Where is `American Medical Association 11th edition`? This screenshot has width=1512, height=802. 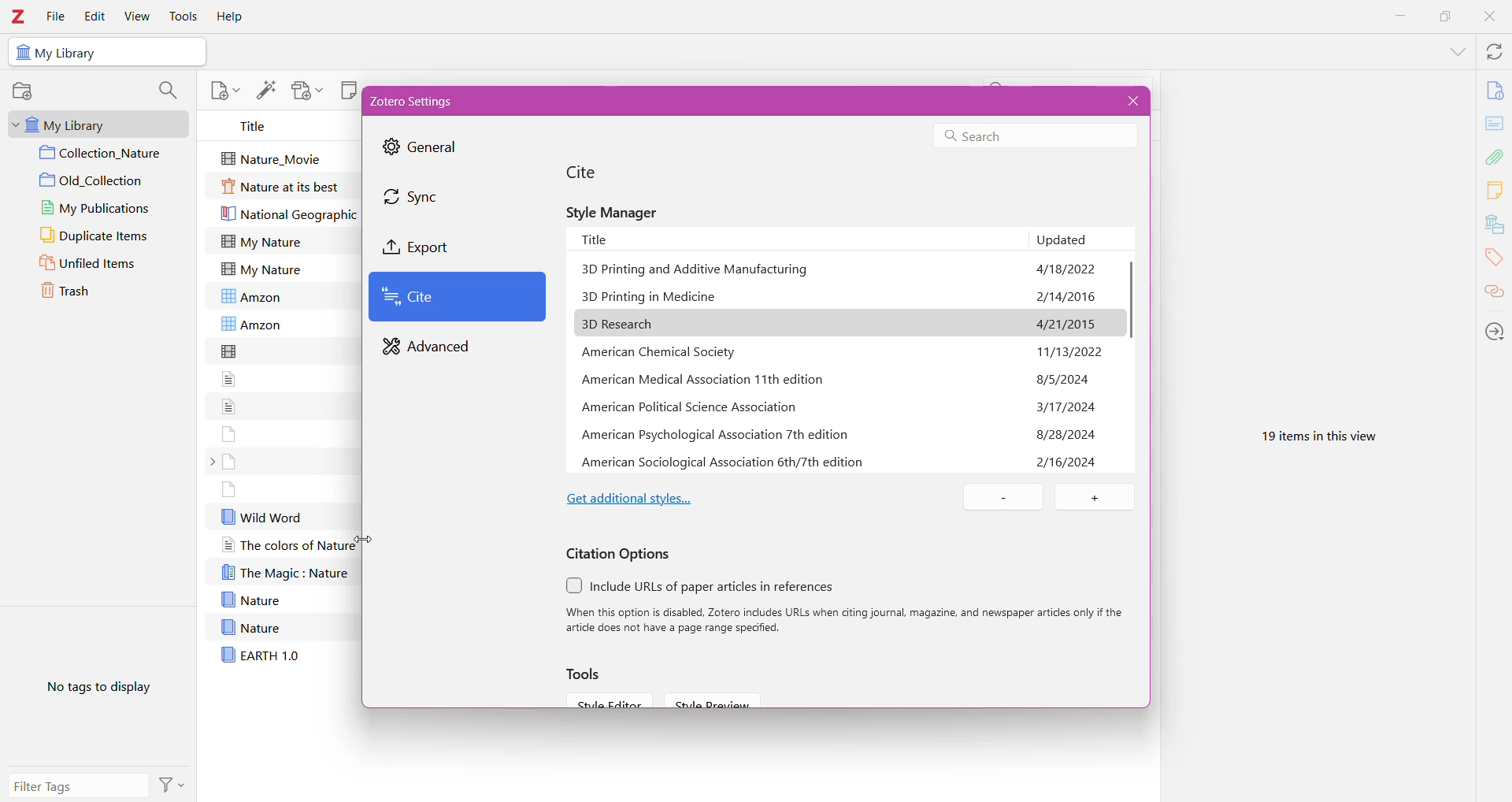
American Medical Association 11th edition is located at coordinates (707, 378).